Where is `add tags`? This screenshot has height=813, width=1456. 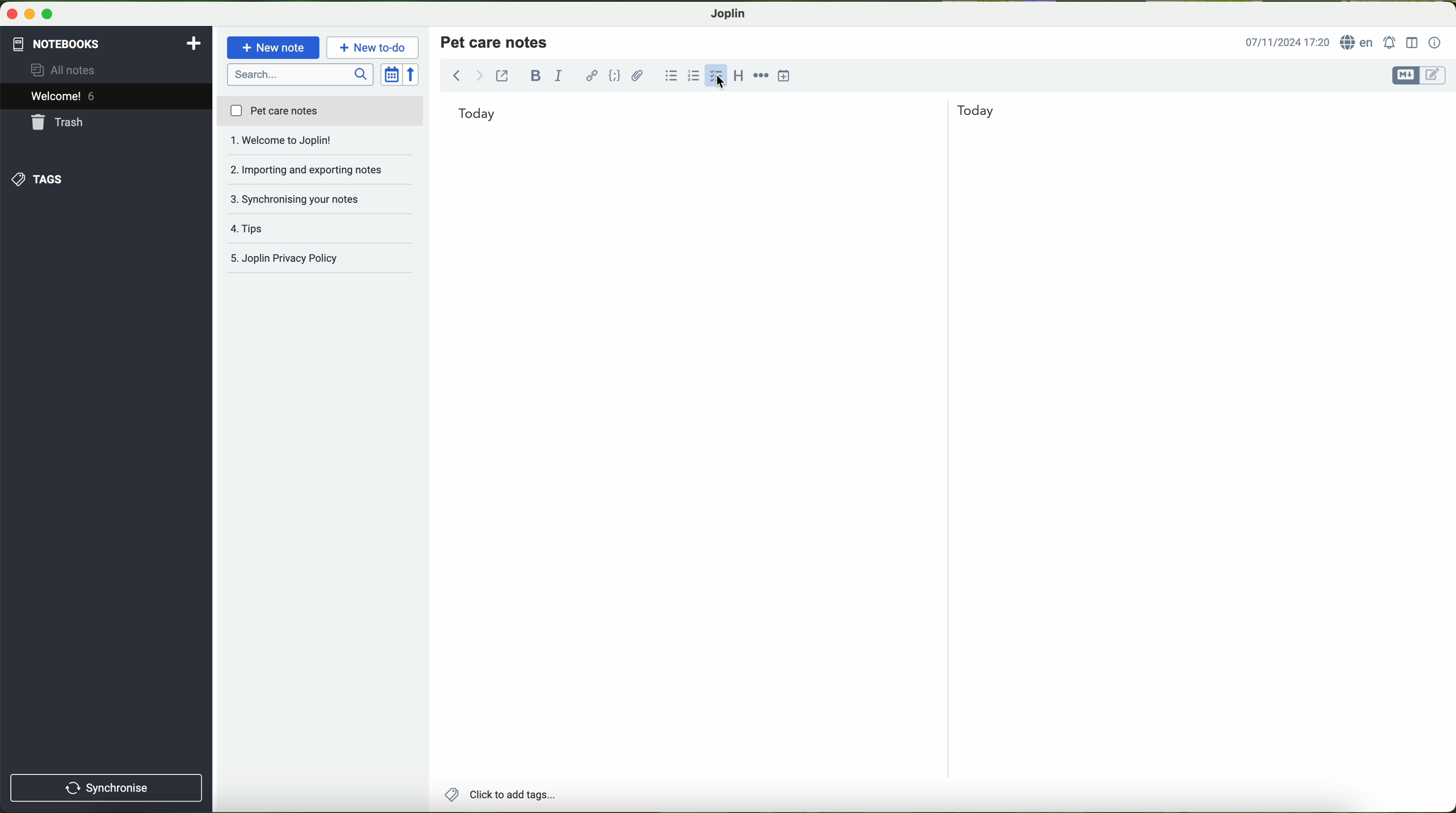
add tags is located at coordinates (500, 796).